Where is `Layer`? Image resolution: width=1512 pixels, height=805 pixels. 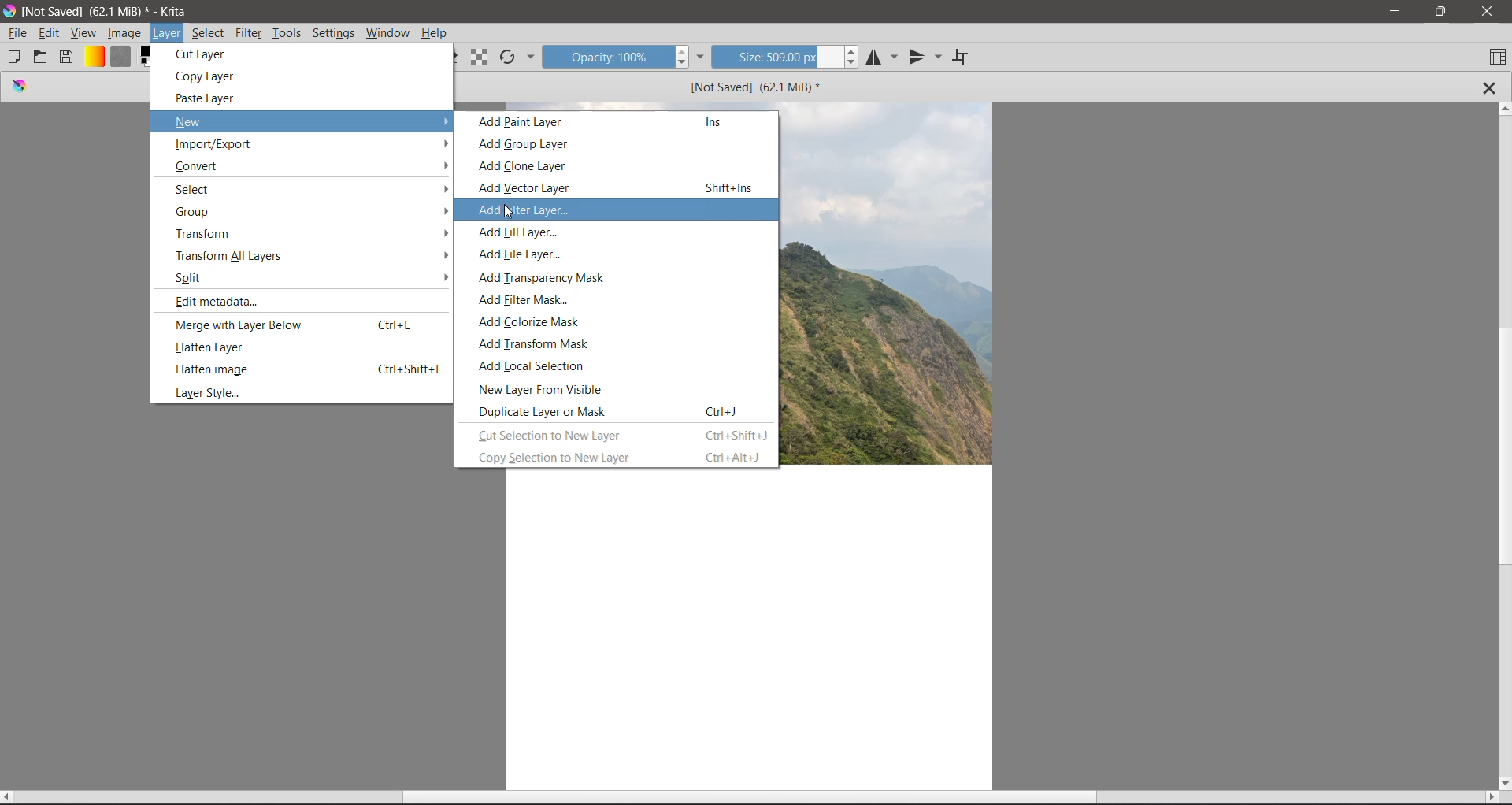 Layer is located at coordinates (169, 33).